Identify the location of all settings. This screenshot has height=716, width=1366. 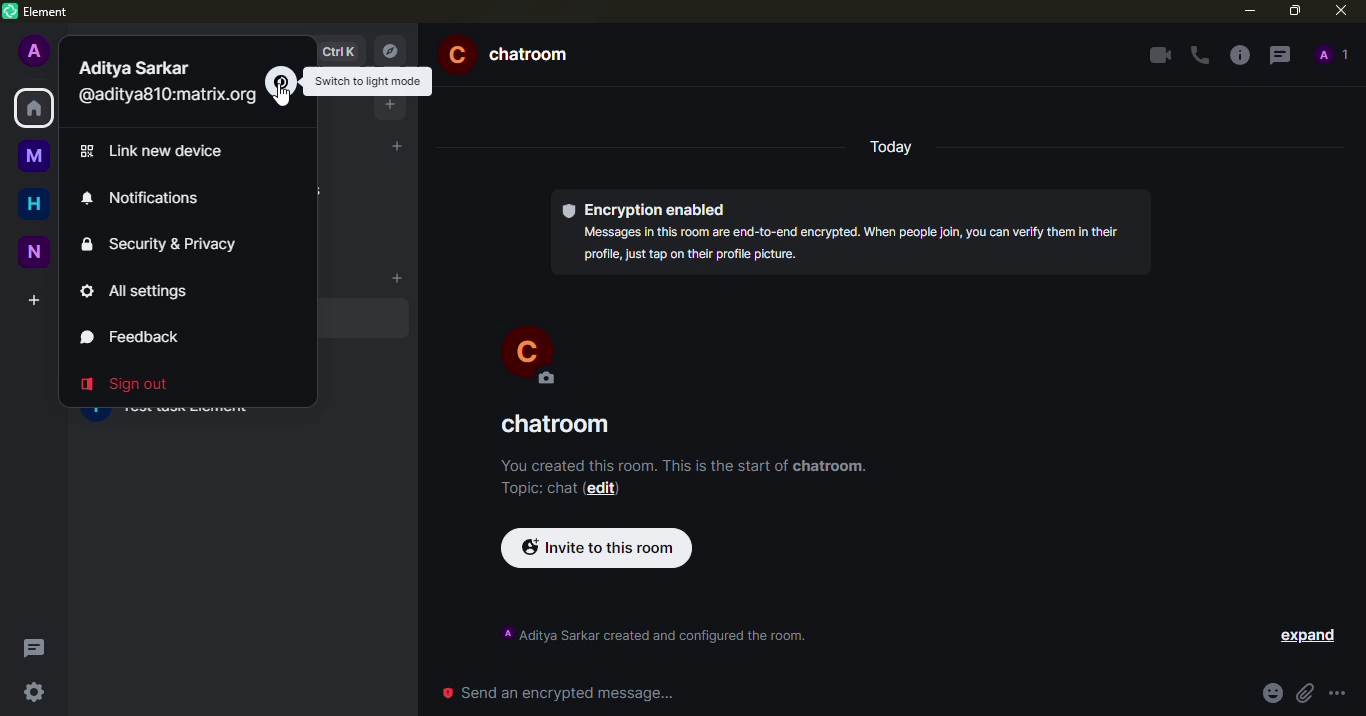
(139, 291).